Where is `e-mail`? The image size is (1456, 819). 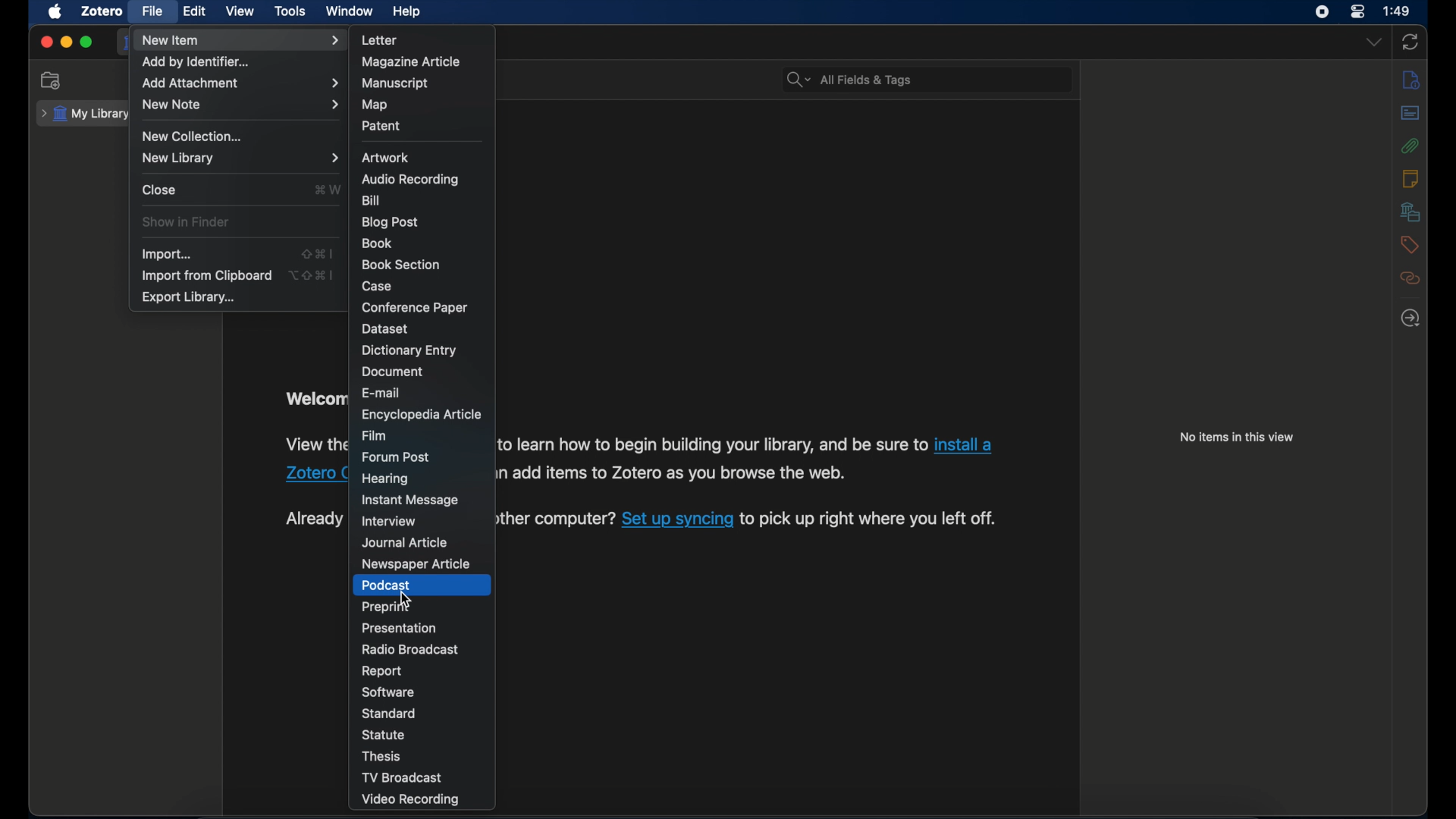
e-mail is located at coordinates (382, 392).